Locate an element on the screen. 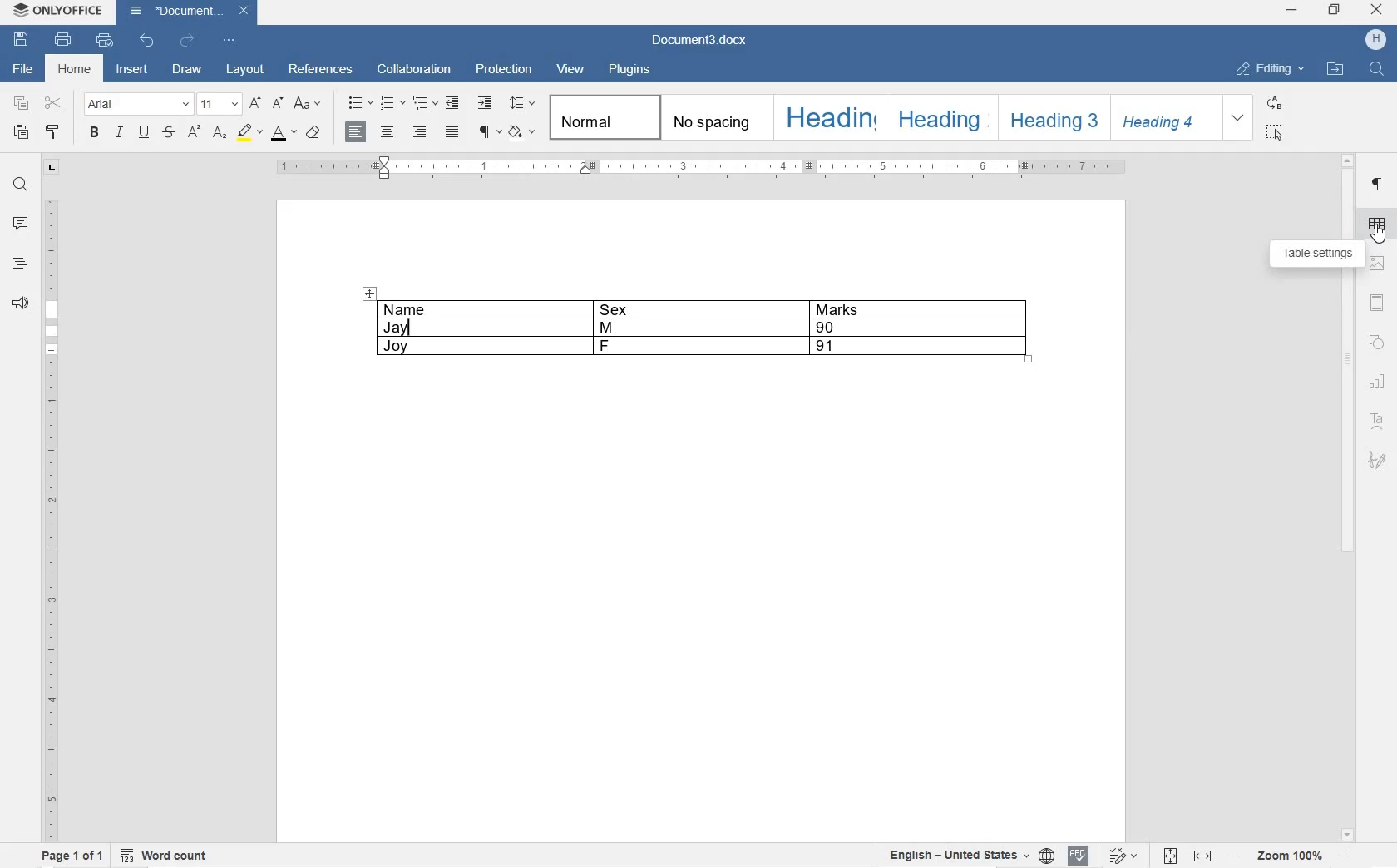 The image size is (1397, 868). EDITING is located at coordinates (1271, 65).